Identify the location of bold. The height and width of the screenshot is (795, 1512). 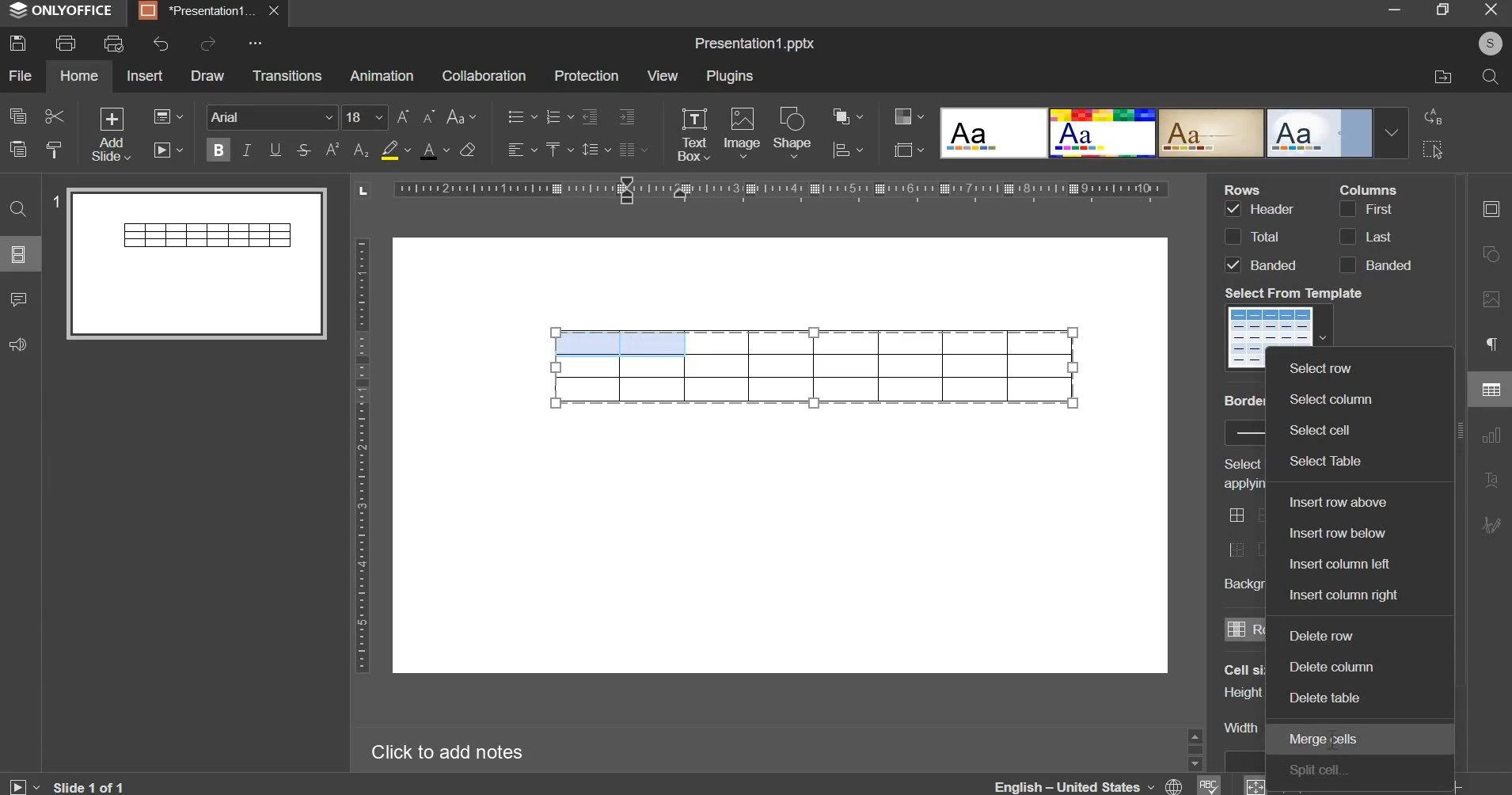
(218, 147).